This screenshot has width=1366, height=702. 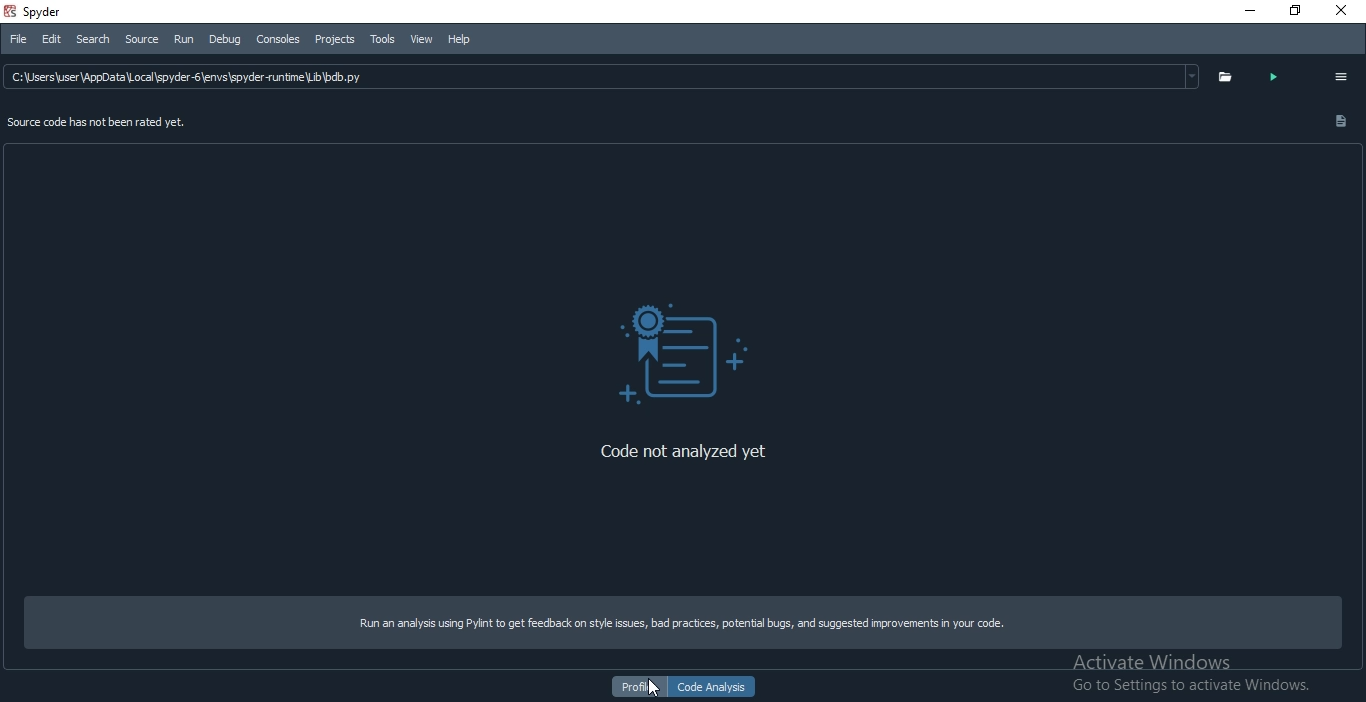 What do you see at coordinates (714, 688) in the screenshot?
I see `code analysis` at bounding box center [714, 688].